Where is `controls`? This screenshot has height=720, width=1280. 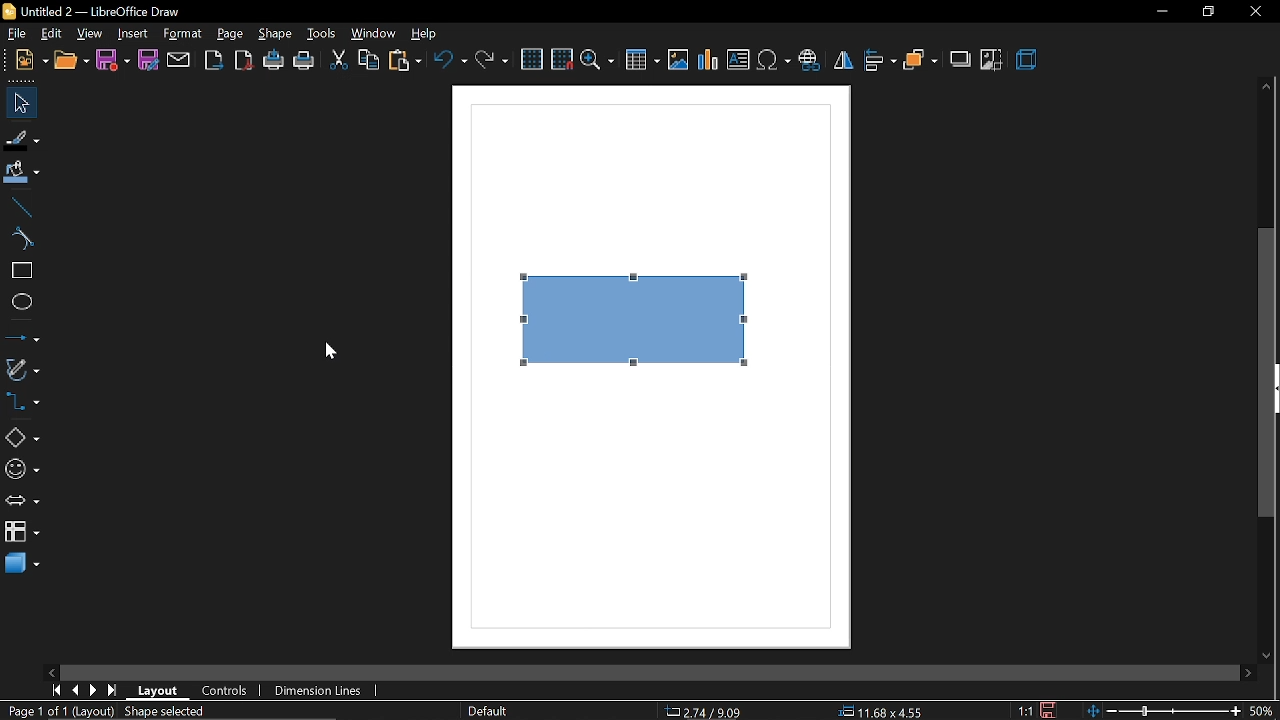
controls is located at coordinates (229, 691).